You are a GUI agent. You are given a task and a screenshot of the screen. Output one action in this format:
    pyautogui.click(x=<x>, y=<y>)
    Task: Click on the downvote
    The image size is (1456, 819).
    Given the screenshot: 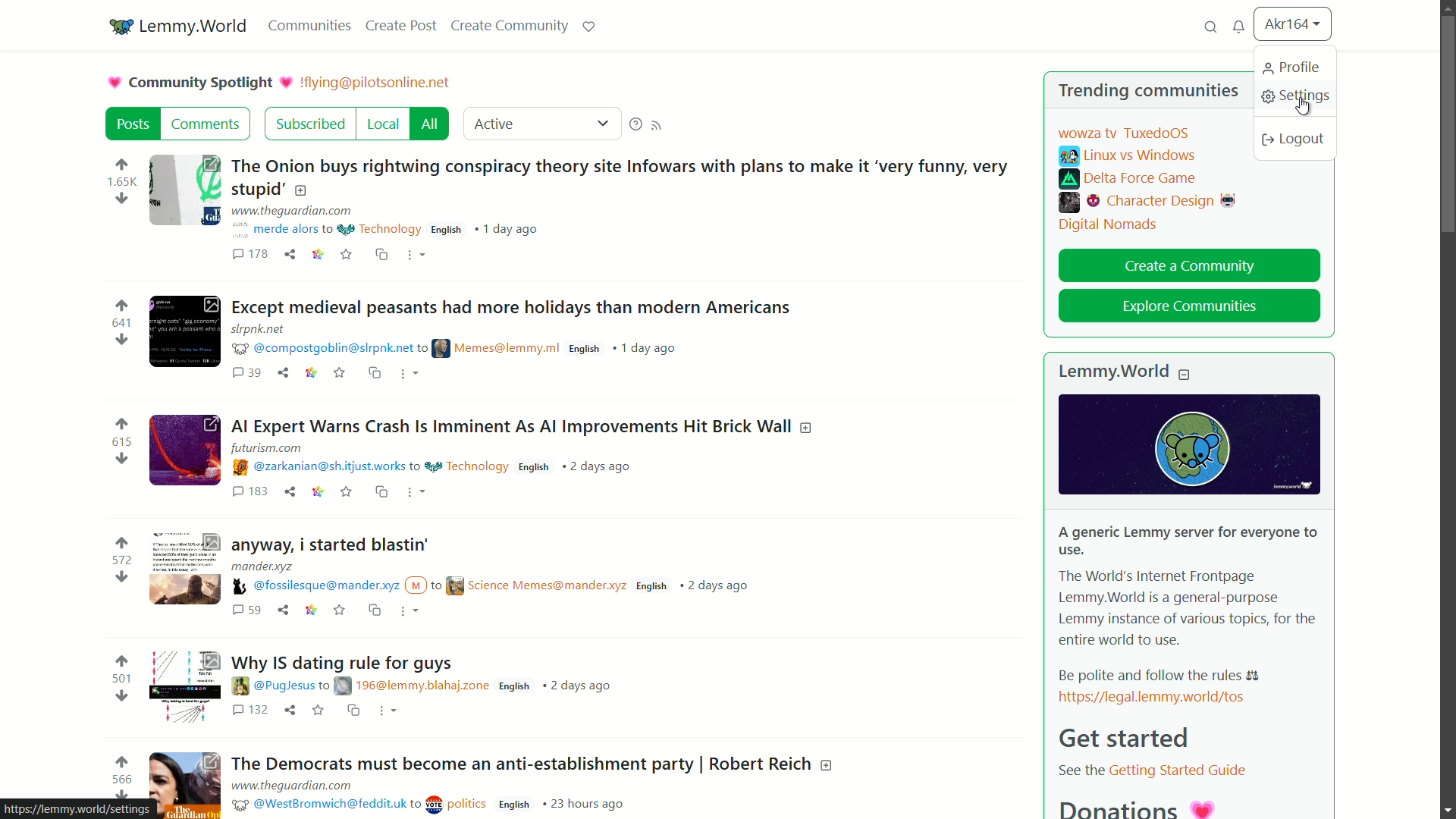 What is the action you would take?
    pyautogui.click(x=121, y=695)
    